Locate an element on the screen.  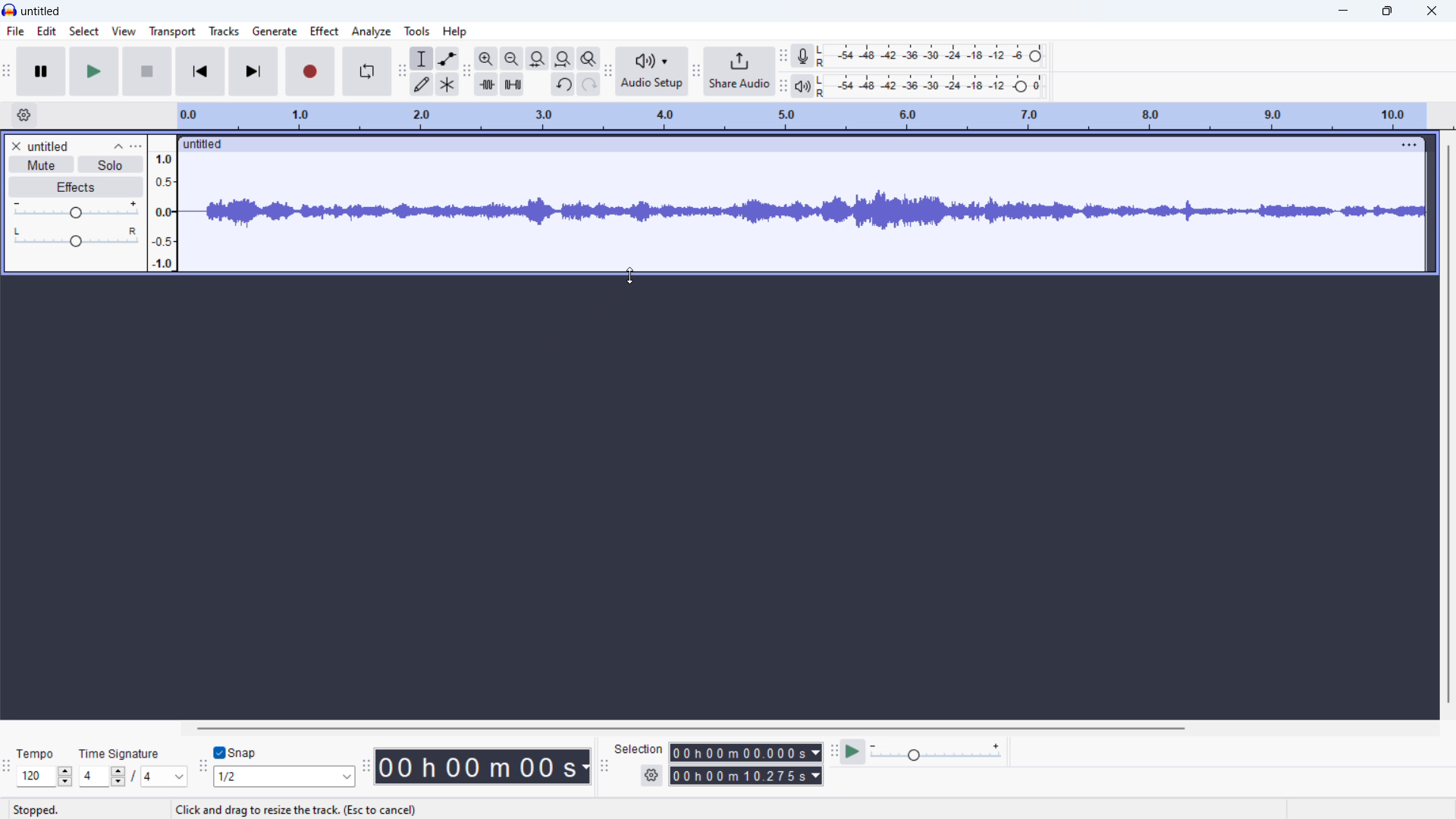
Stopped is located at coordinates (35, 810).